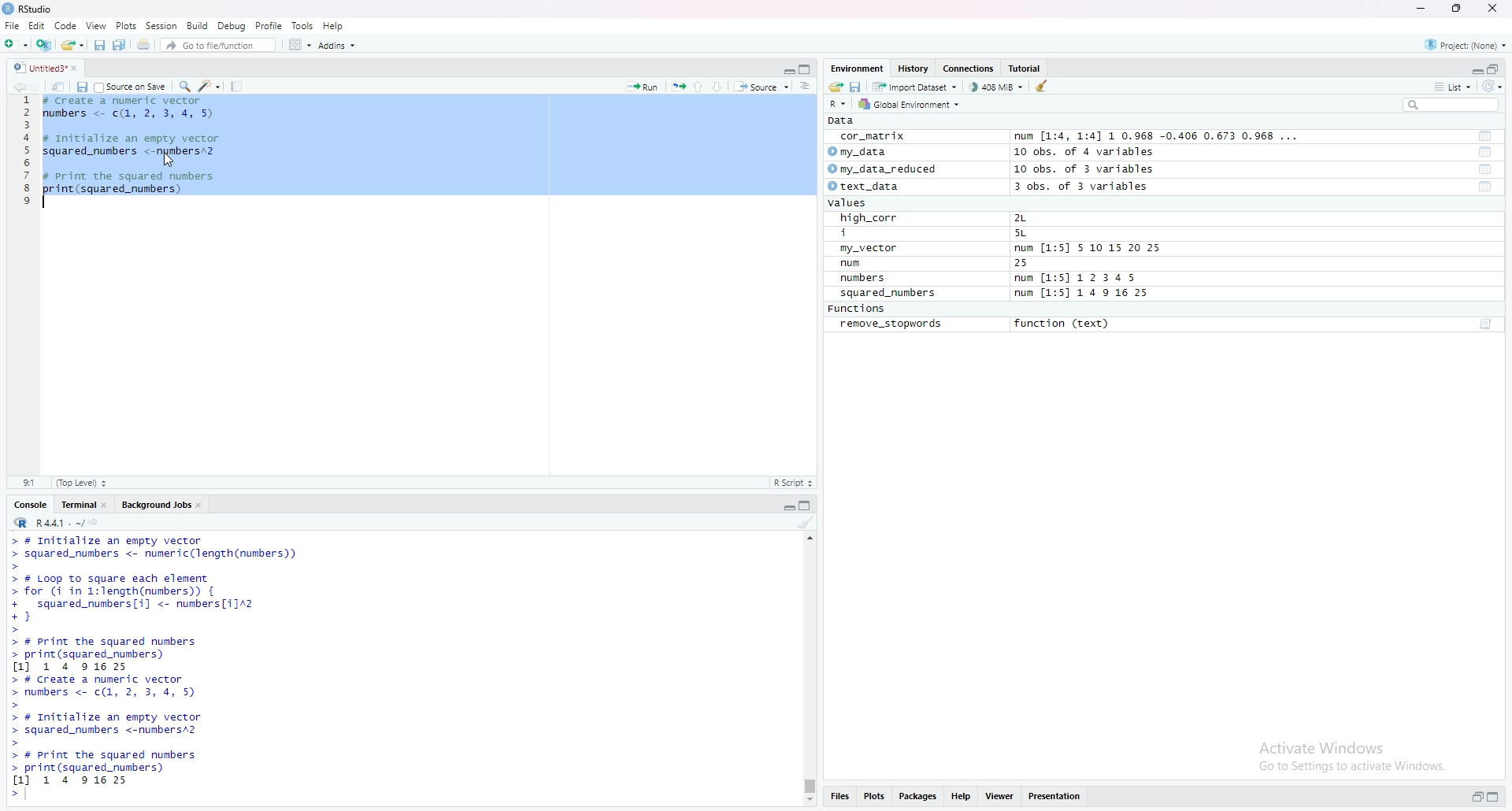 The width and height of the screenshot is (1512, 811). What do you see at coordinates (184, 85) in the screenshot?
I see `Find/Replace` at bounding box center [184, 85].